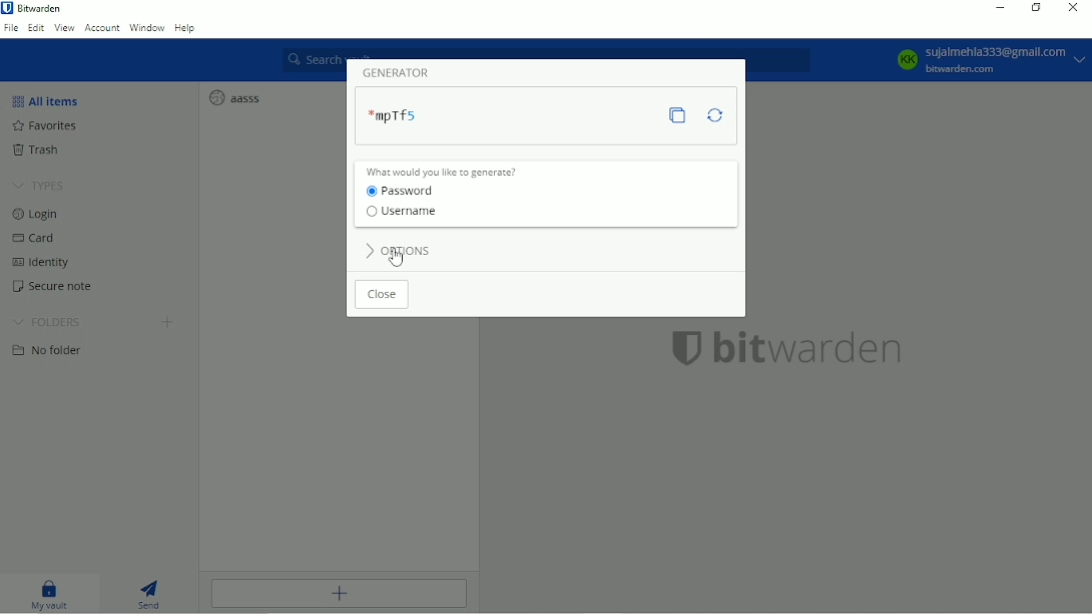 This screenshot has height=614, width=1092. I want to click on Restore down, so click(1037, 7).